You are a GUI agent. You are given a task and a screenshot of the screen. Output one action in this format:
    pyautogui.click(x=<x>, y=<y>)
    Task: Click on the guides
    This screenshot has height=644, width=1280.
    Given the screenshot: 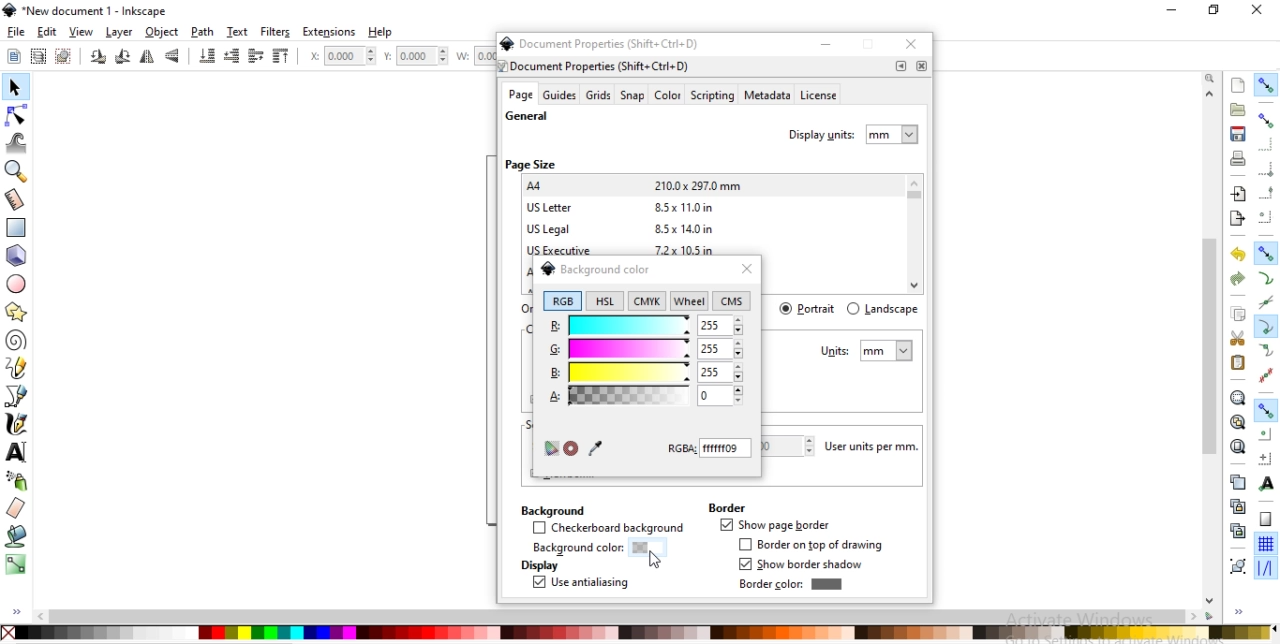 What is the action you would take?
    pyautogui.click(x=560, y=95)
    